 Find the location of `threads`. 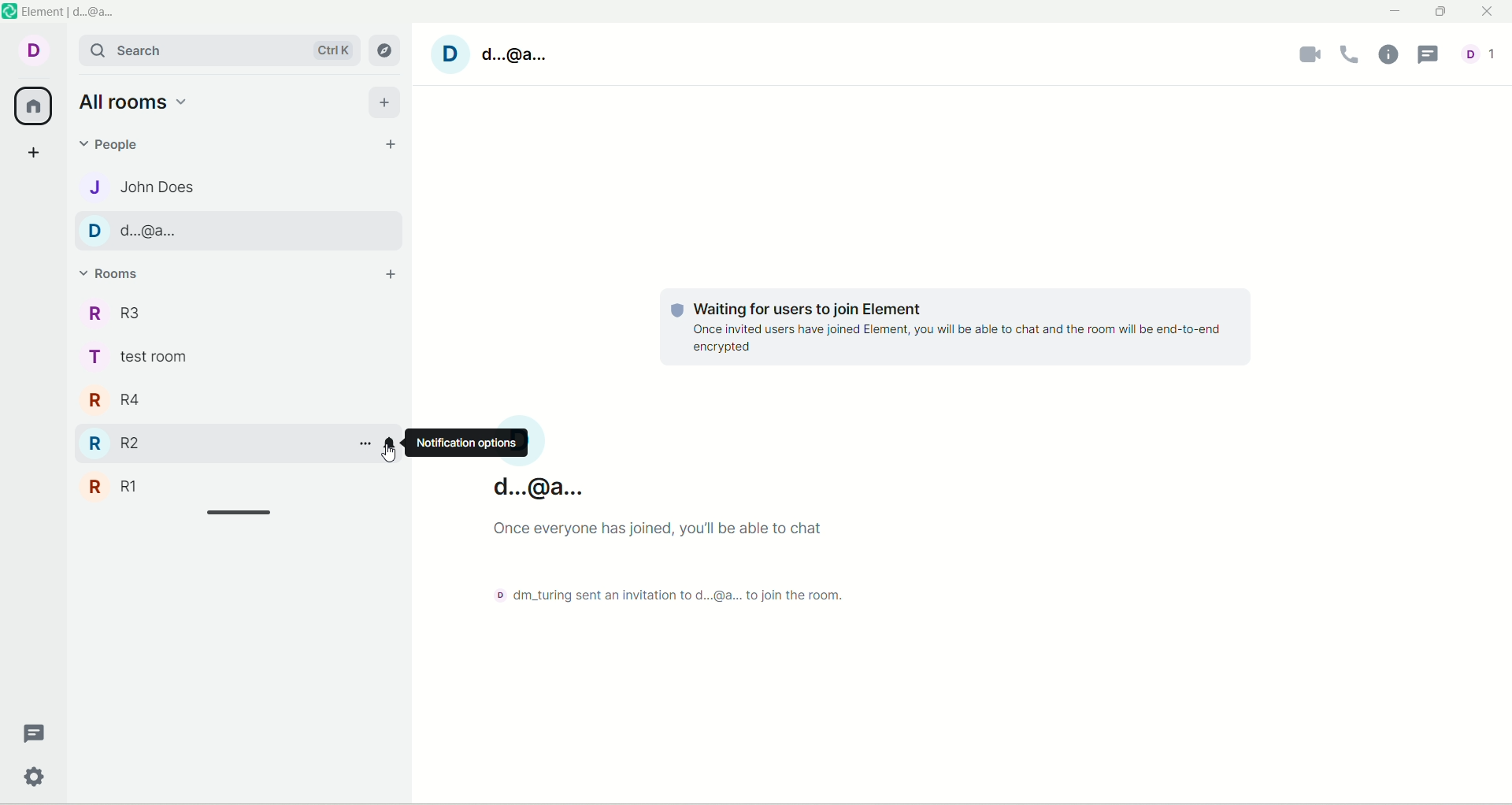

threads is located at coordinates (31, 730).